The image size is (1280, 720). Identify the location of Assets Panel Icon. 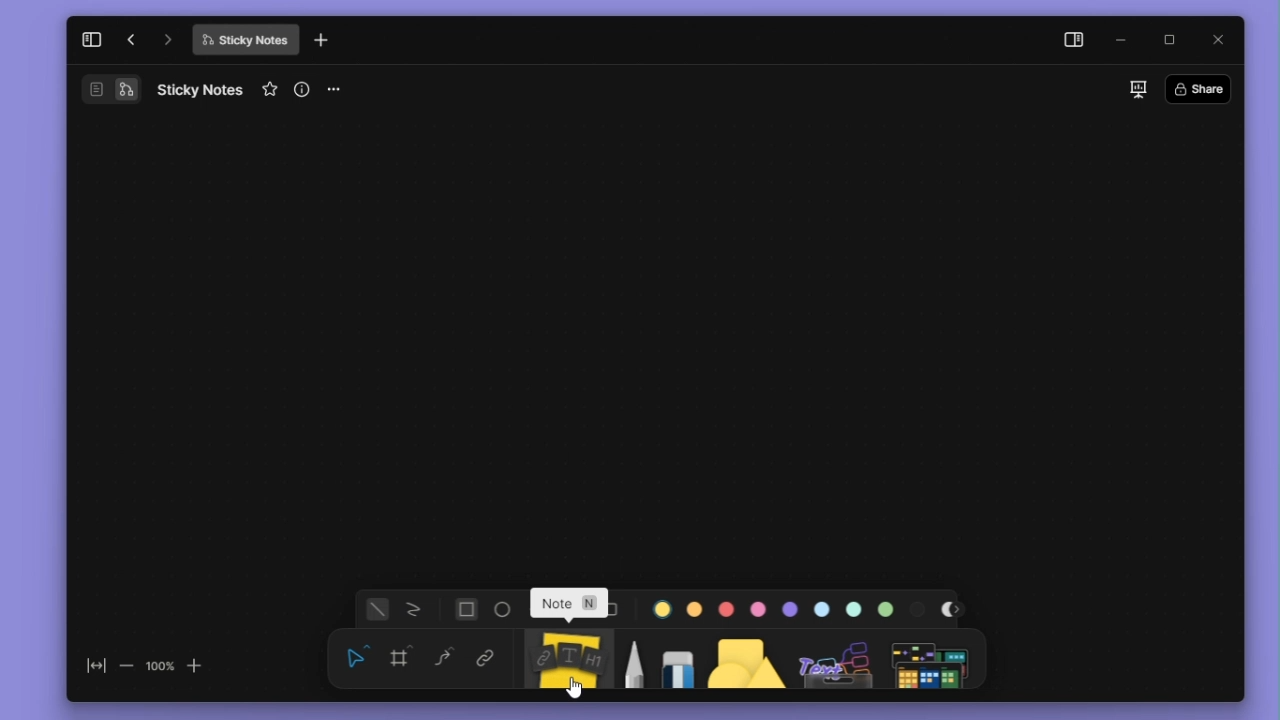
(833, 663).